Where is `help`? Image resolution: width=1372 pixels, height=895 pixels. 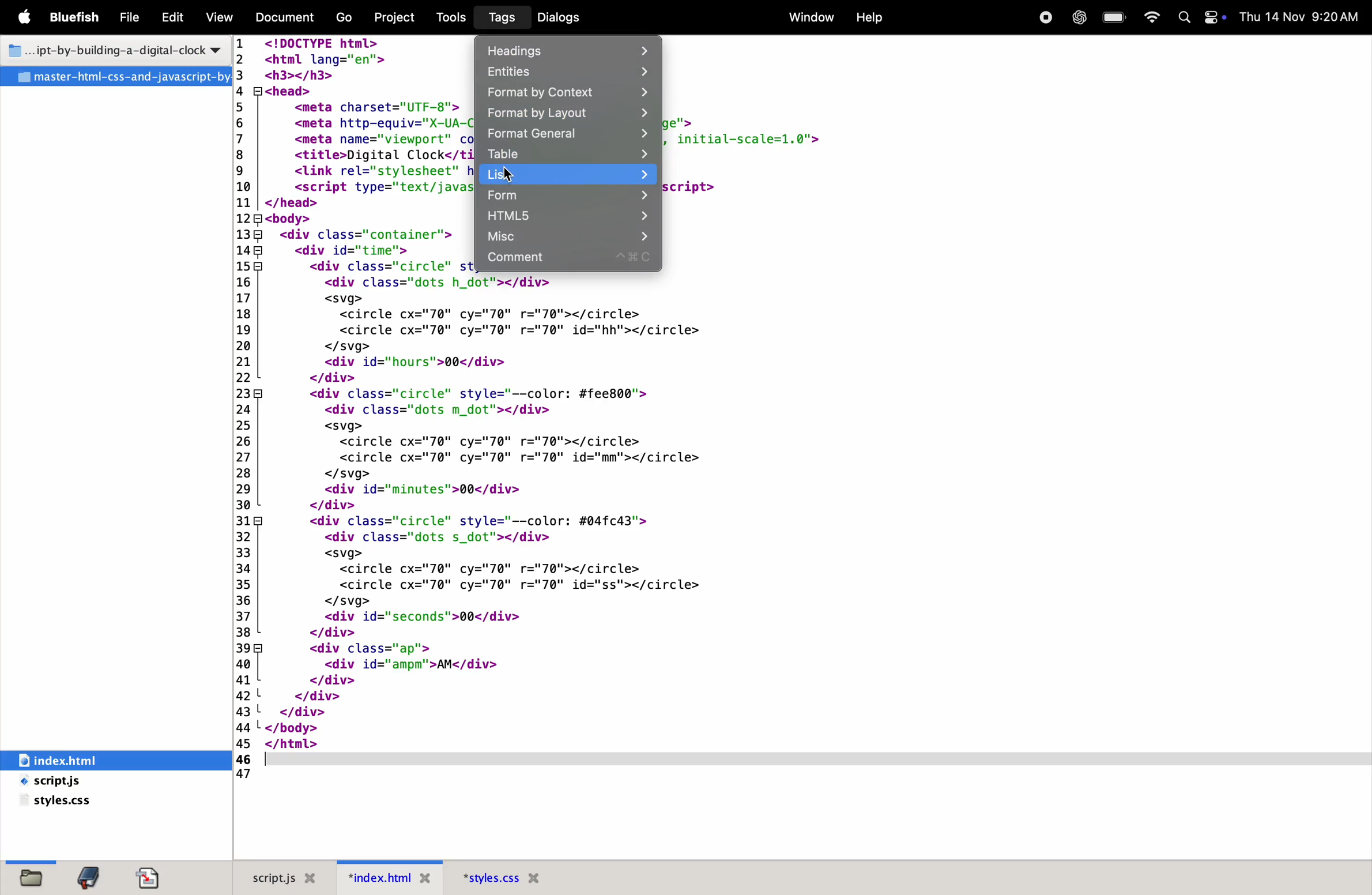 help is located at coordinates (869, 17).